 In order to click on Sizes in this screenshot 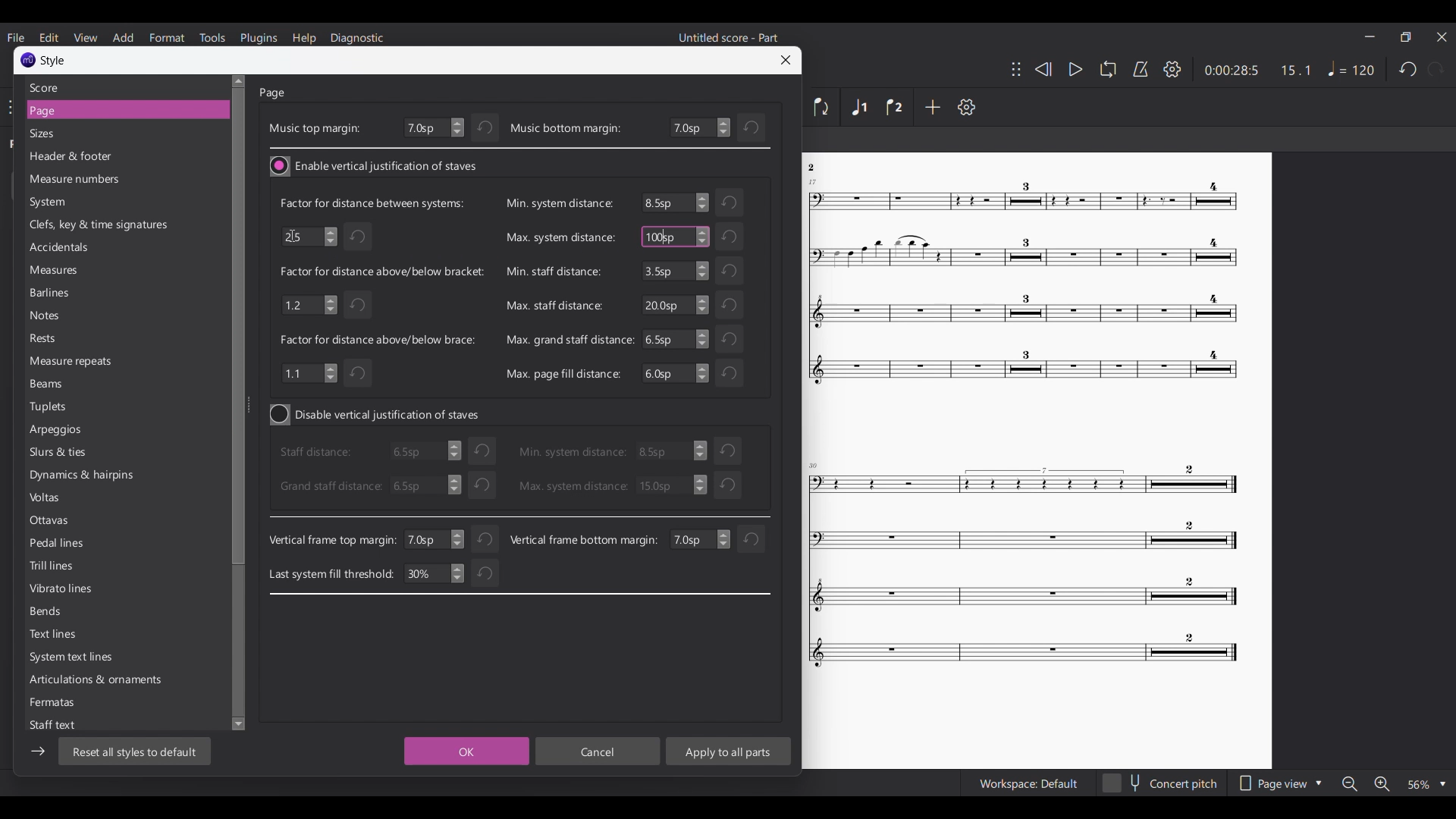, I will do `click(115, 133)`.